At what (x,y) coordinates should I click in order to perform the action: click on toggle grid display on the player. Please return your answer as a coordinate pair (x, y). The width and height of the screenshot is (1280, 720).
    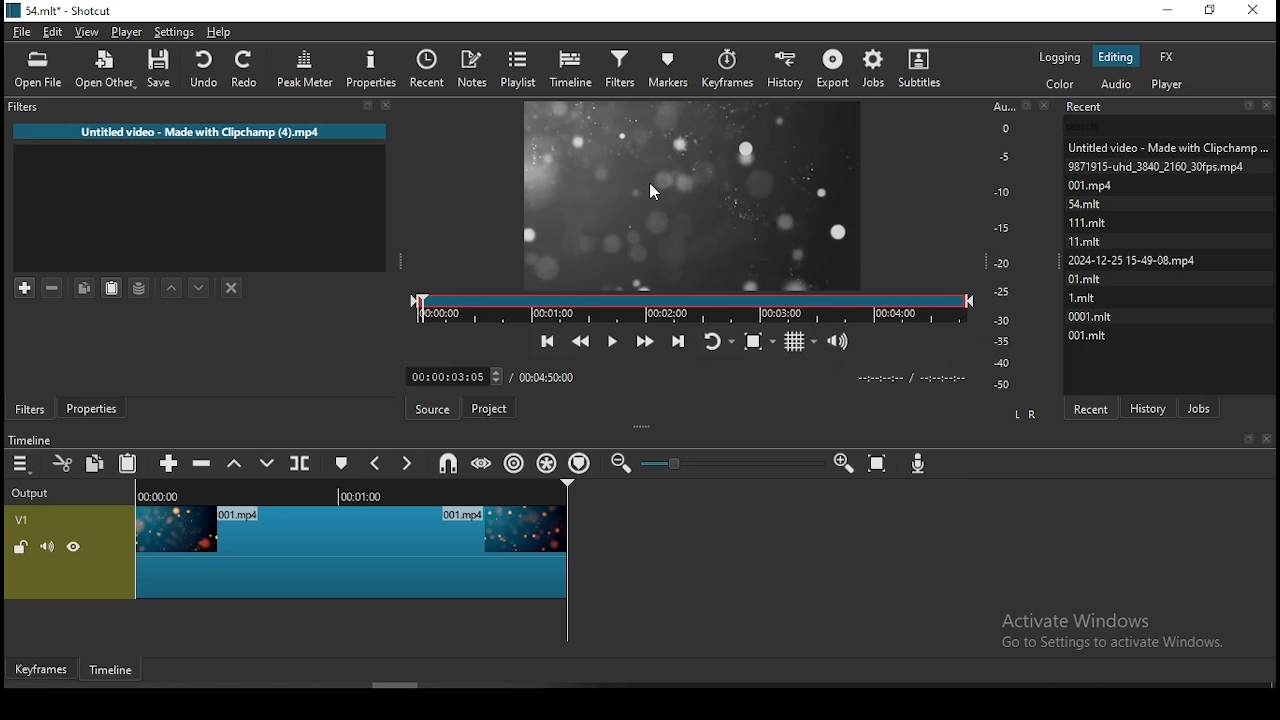
    Looking at the image, I should click on (802, 342).